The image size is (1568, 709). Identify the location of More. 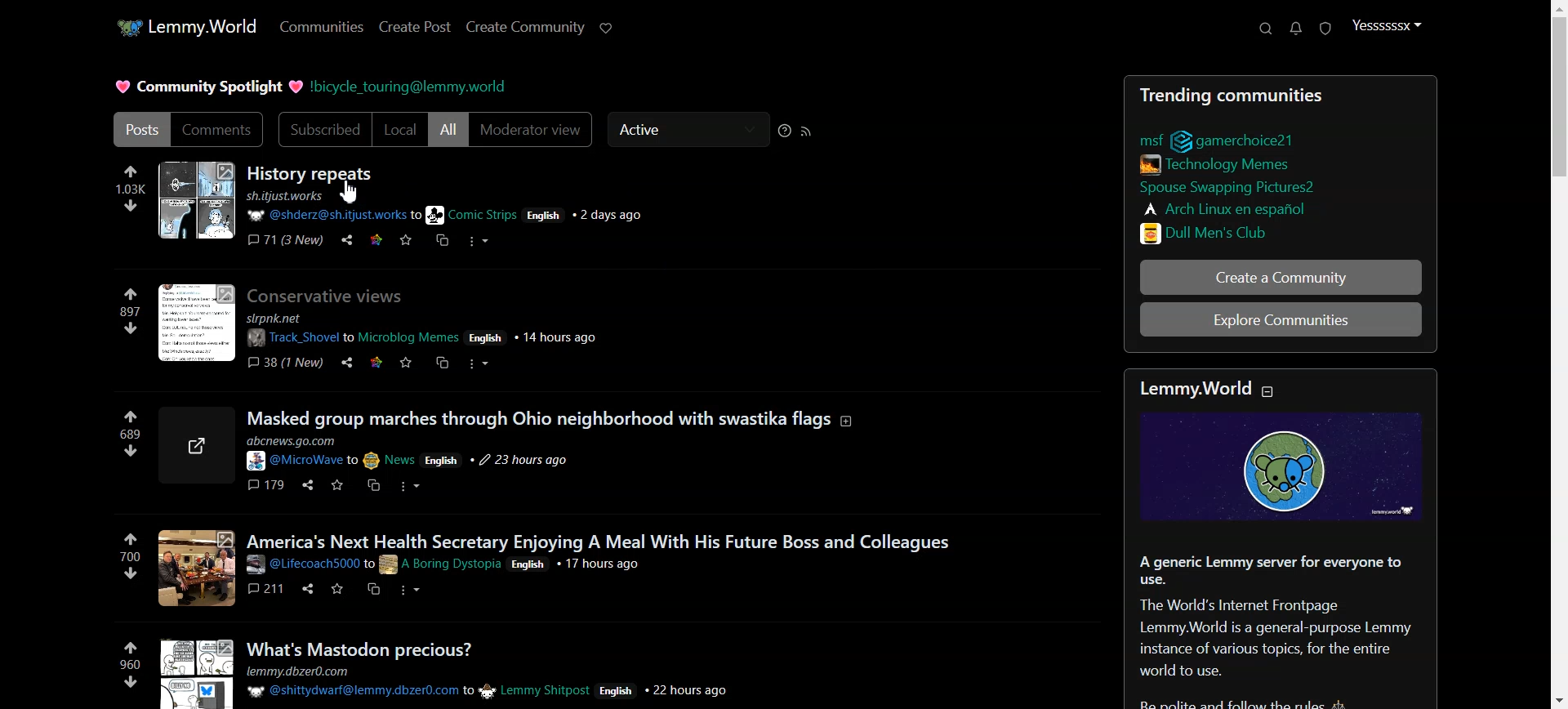
(410, 488).